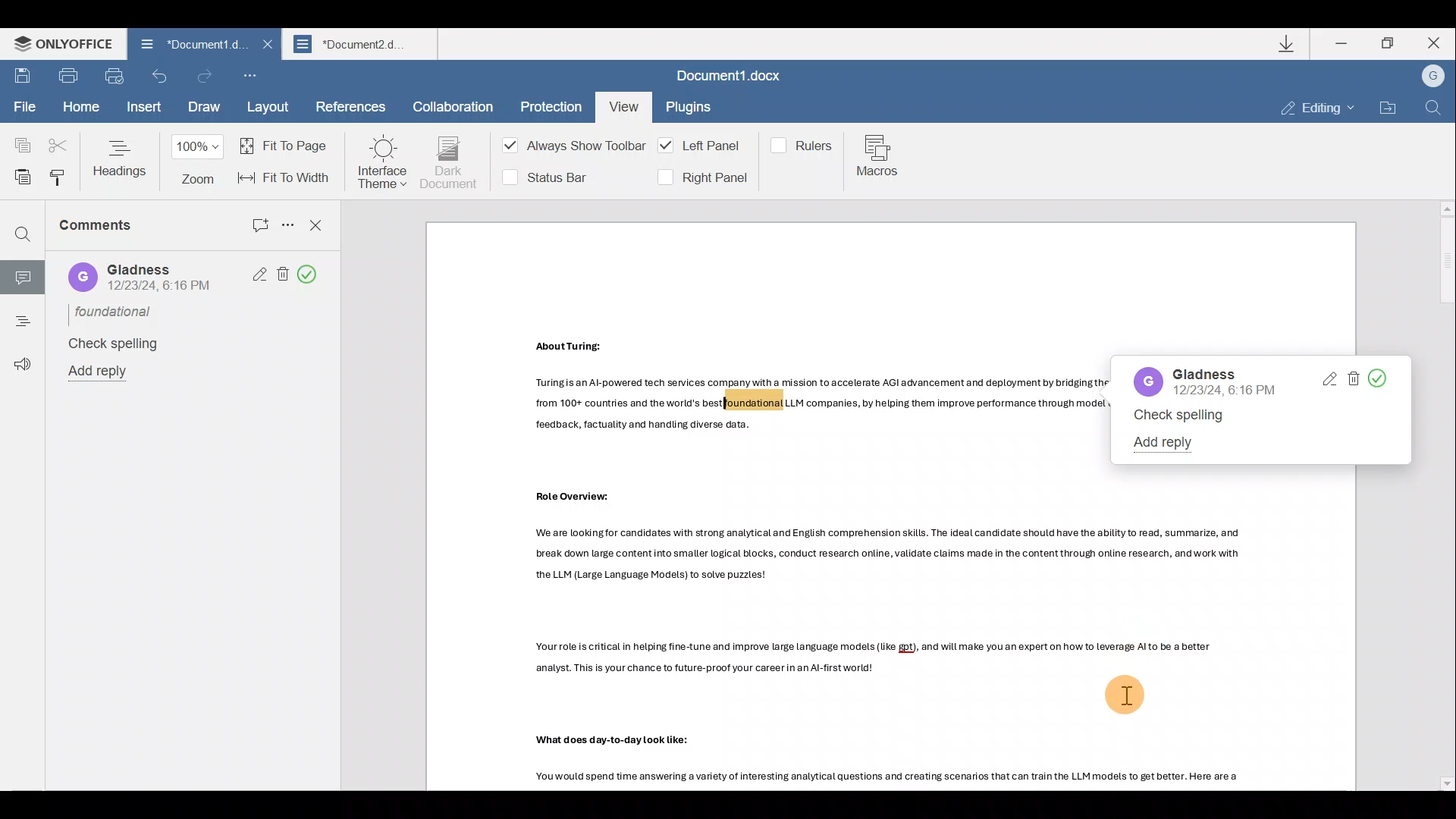 This screenshot has width=1456, height=819. I want to click on Headings, so click(121, 158).